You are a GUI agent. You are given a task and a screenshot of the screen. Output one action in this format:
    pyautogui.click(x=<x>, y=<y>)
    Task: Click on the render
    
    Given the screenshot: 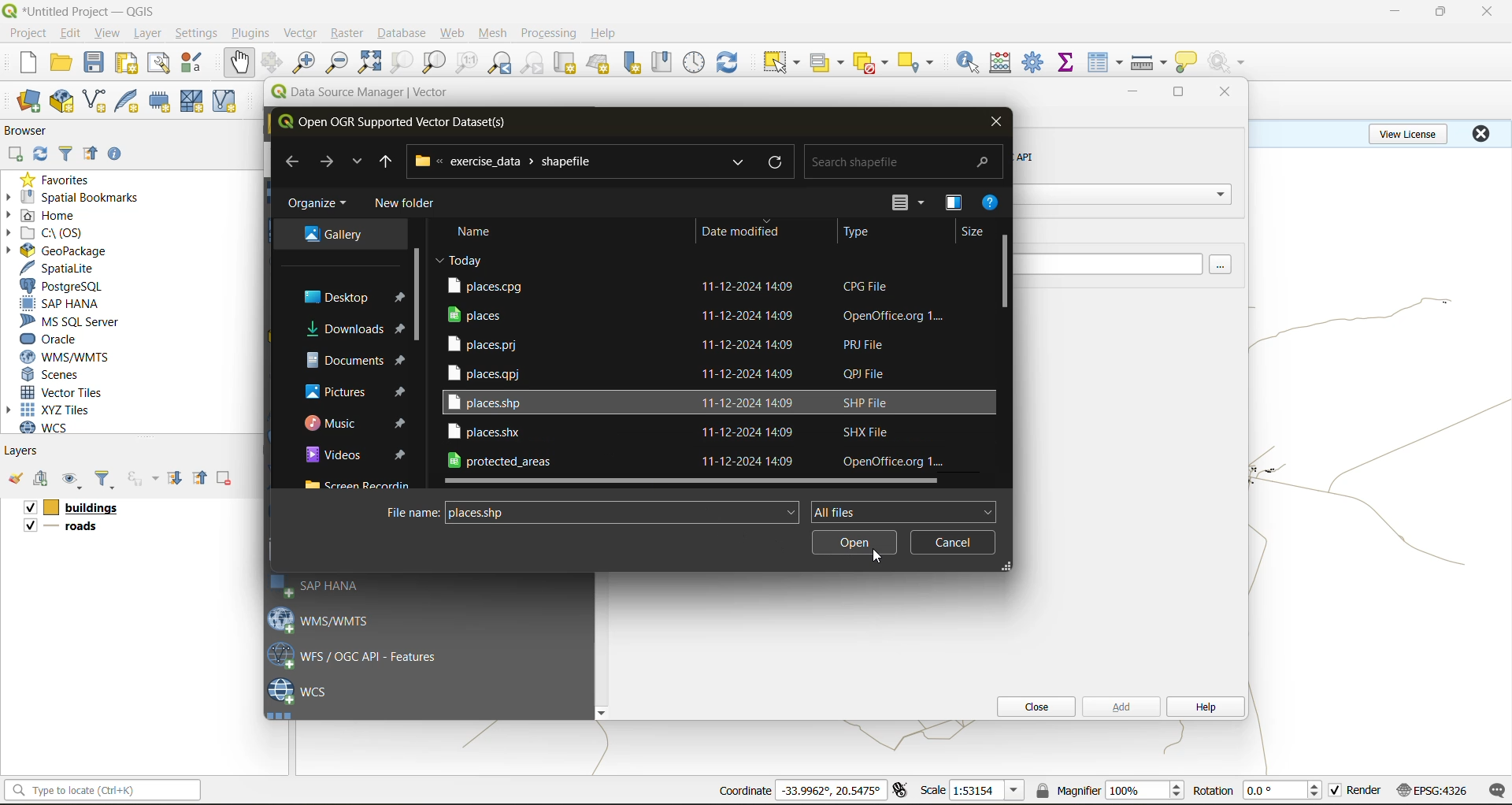 What is the action you would take?
    pyautogui.click(x=1366, y=790)
    